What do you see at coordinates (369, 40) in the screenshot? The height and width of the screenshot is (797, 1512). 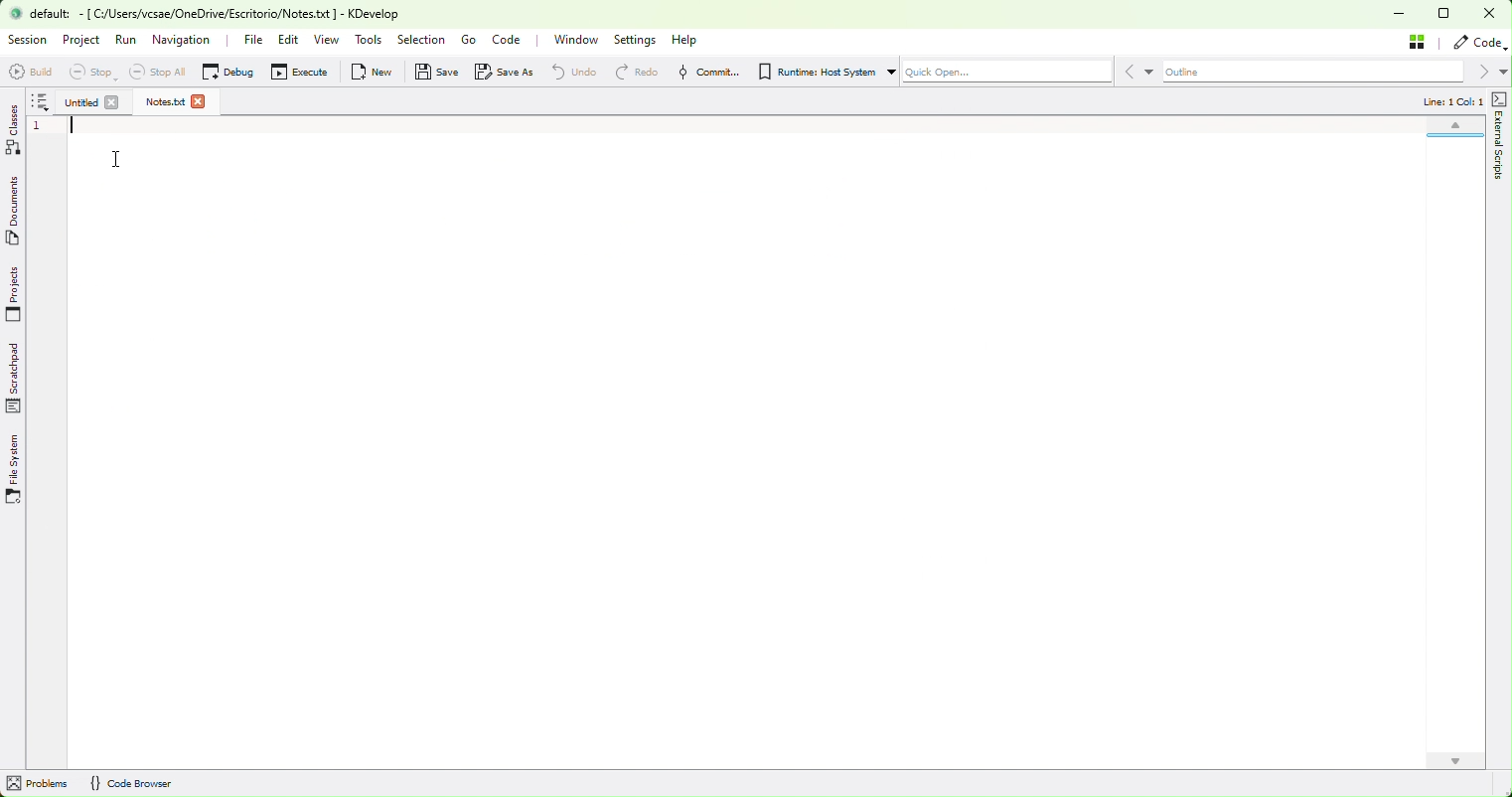 I see `Tools` at bounding box center [369, 40].